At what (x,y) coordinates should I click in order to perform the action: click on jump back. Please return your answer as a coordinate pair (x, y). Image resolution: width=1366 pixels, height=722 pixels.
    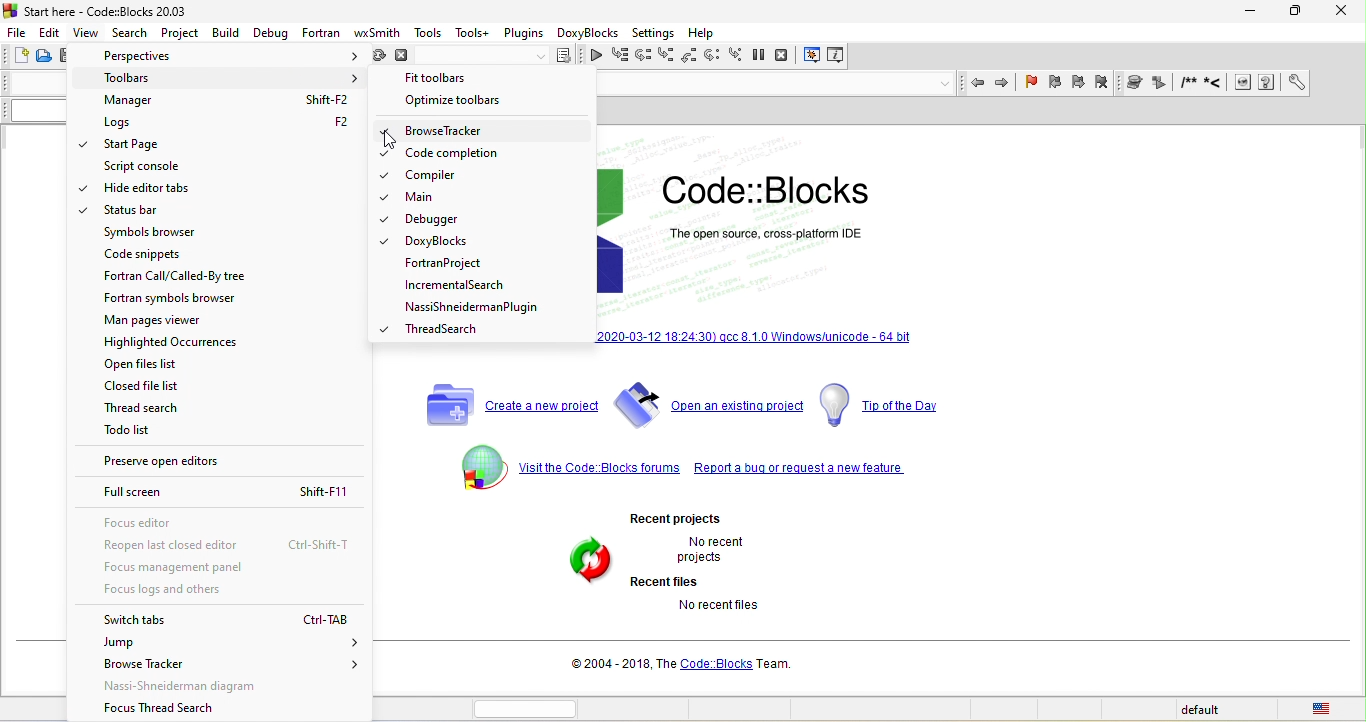
    Looking at the image, I should click on (978, 84).